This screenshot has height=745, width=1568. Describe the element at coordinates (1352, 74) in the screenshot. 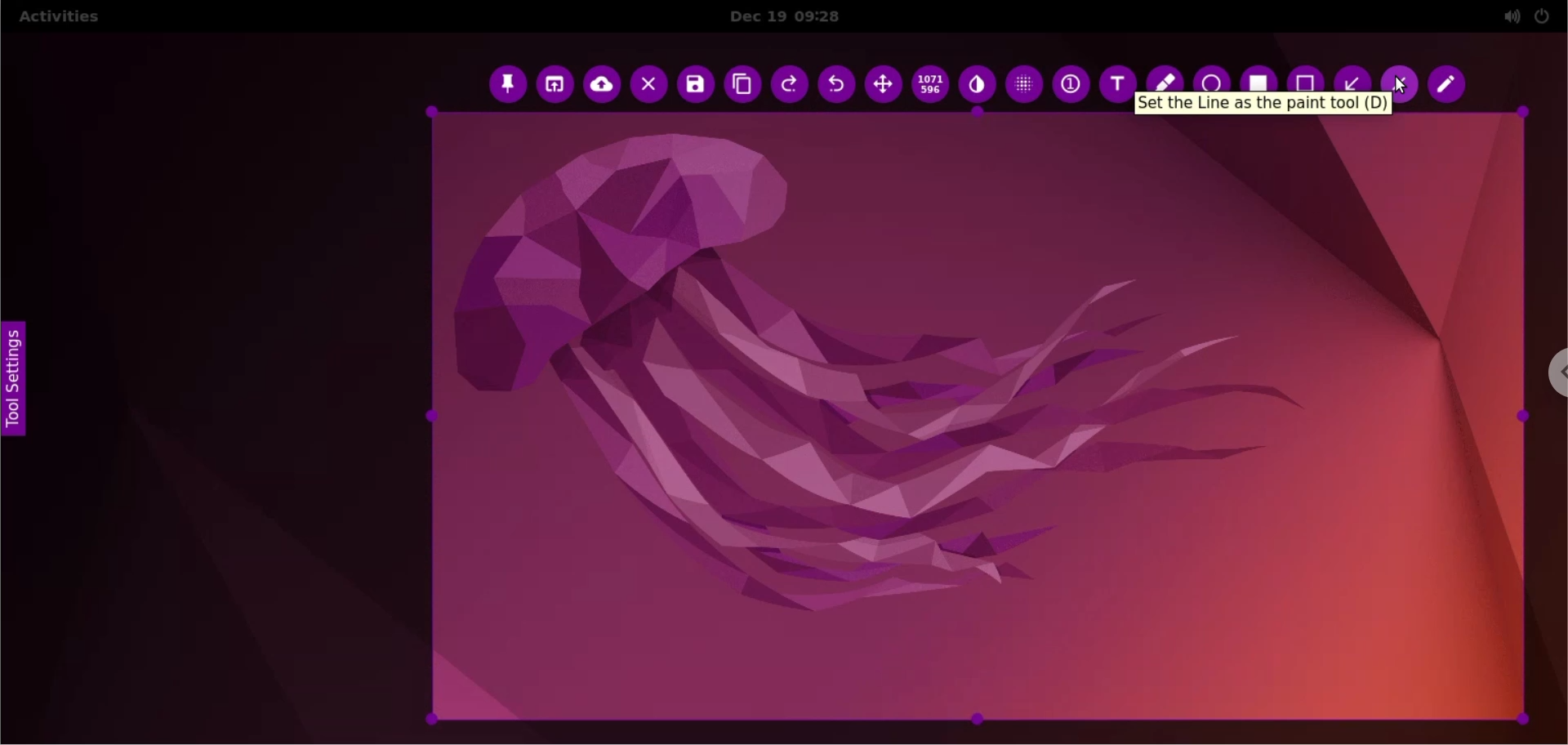

I see `arrow` at that location.